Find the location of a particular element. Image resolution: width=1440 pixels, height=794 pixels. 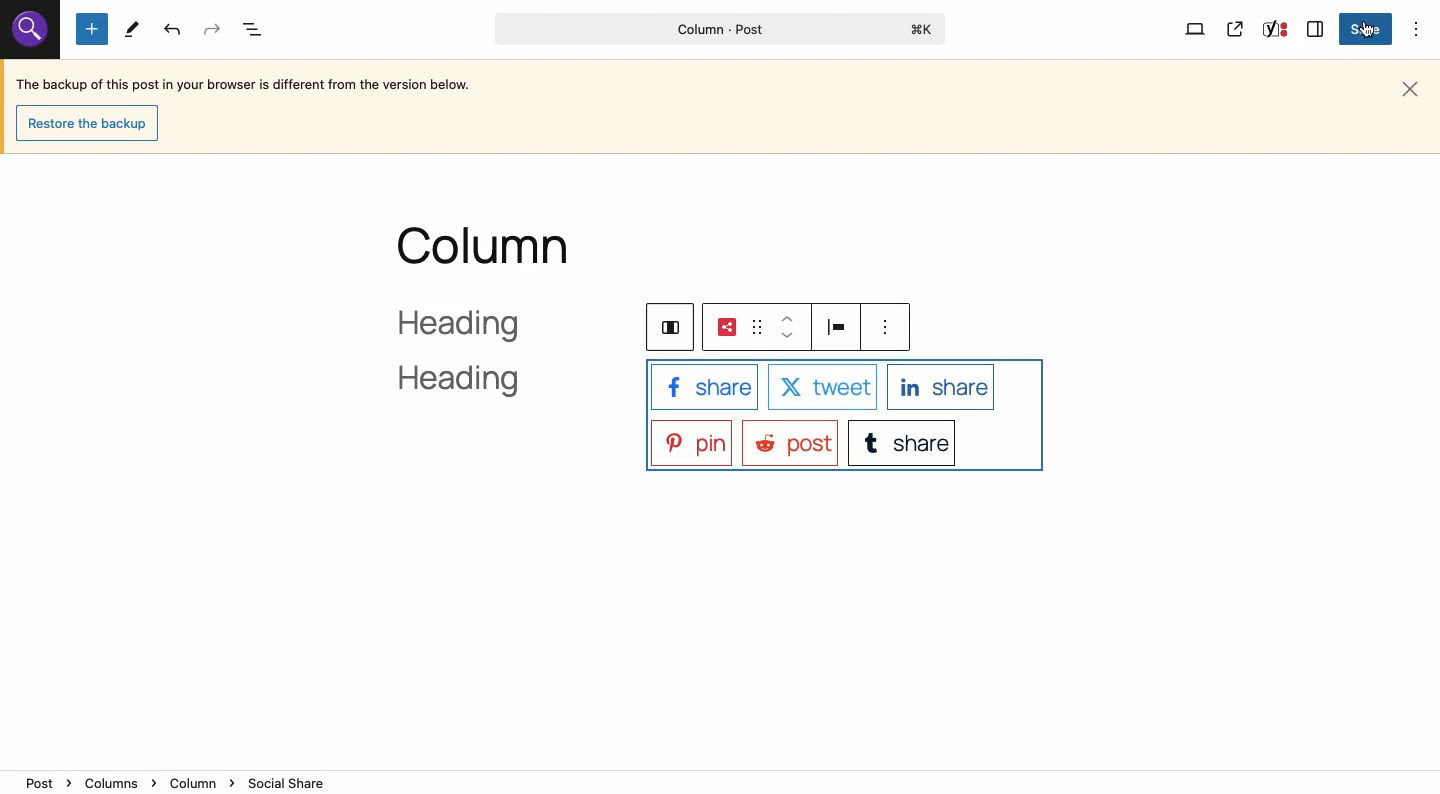

Close is located at coordinates (1414, 87).